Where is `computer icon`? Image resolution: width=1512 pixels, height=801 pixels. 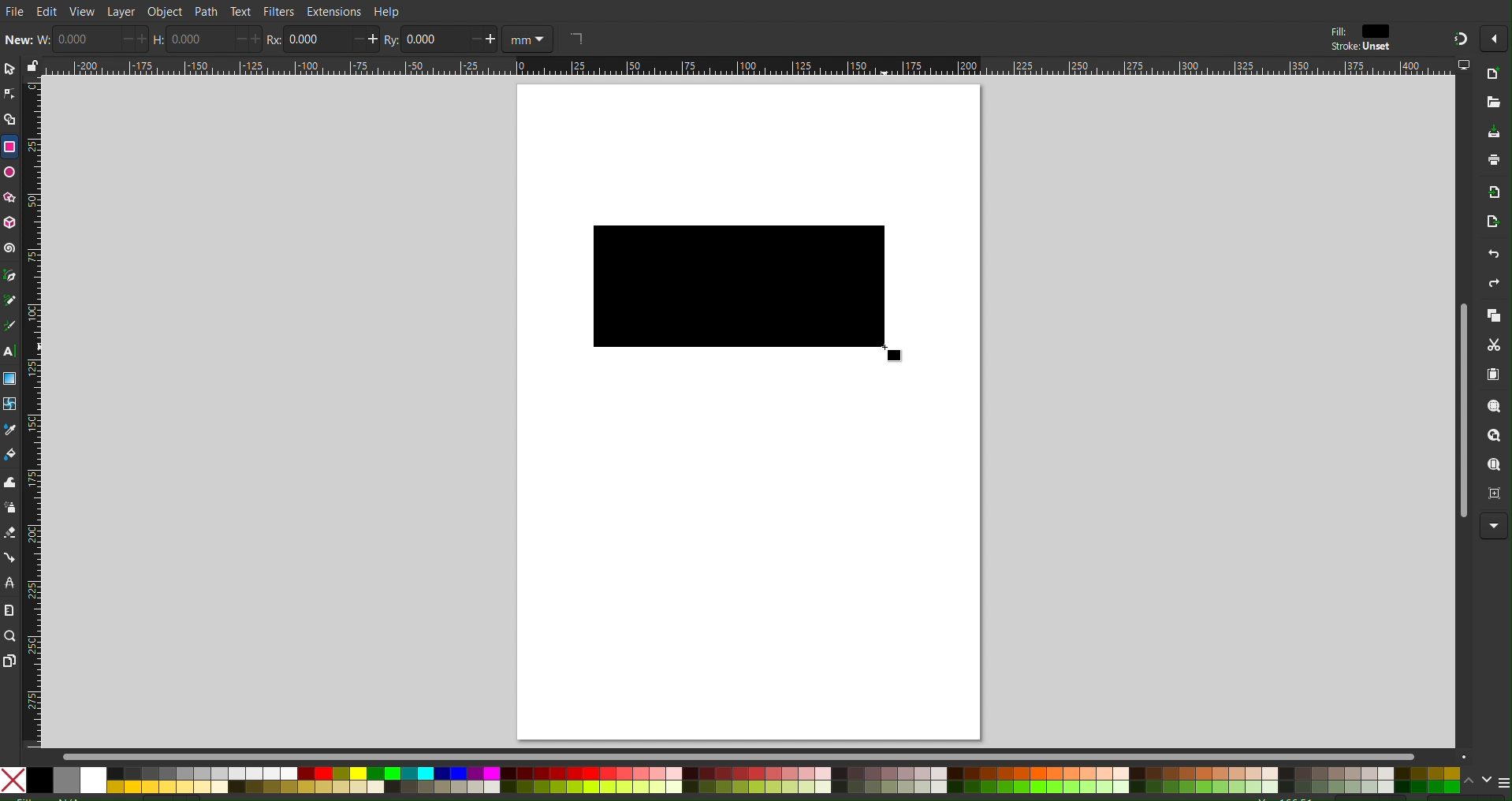
computer icon is located at coordinates (1464, 65).